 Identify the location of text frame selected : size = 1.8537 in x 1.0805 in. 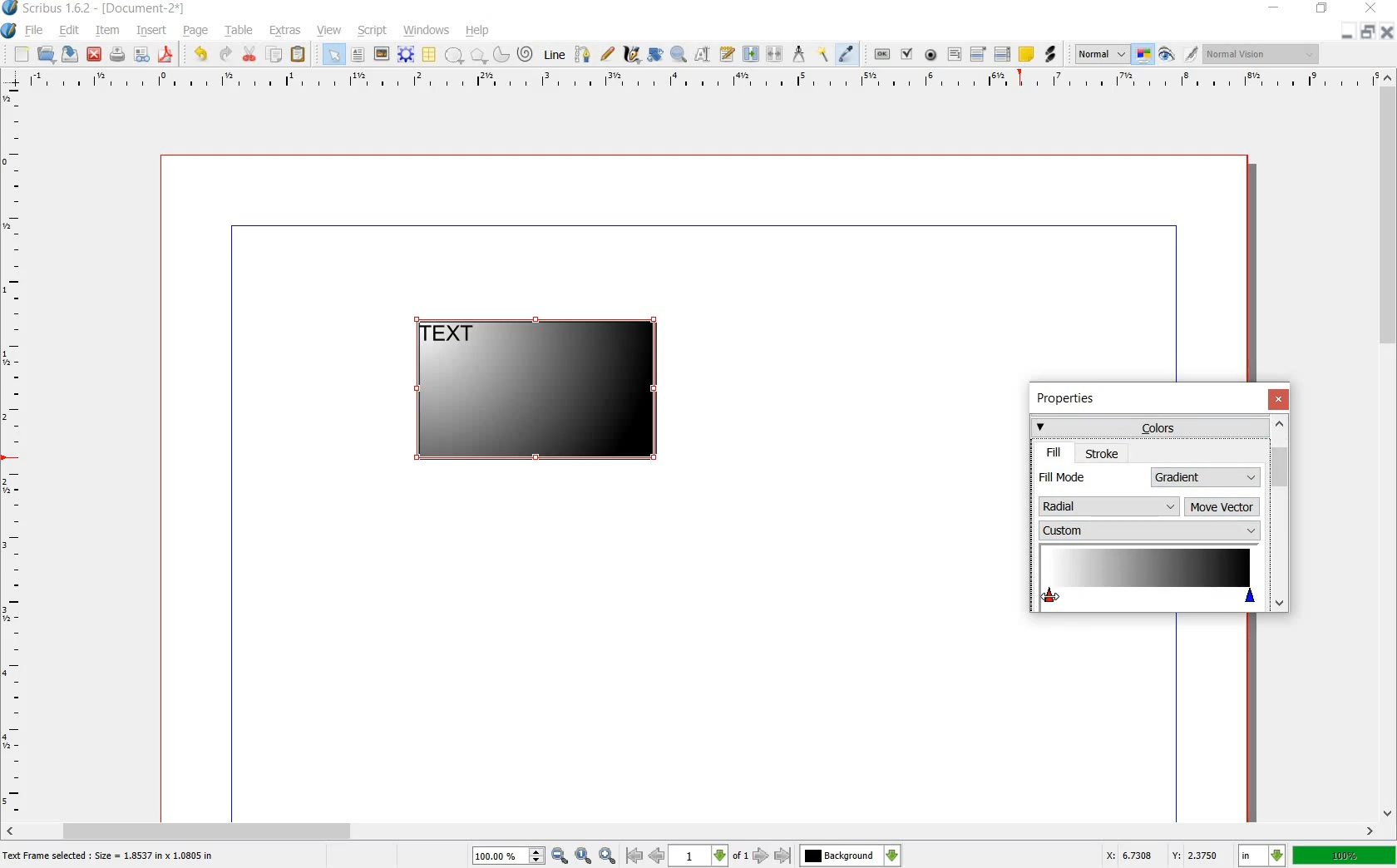
(111, 857).